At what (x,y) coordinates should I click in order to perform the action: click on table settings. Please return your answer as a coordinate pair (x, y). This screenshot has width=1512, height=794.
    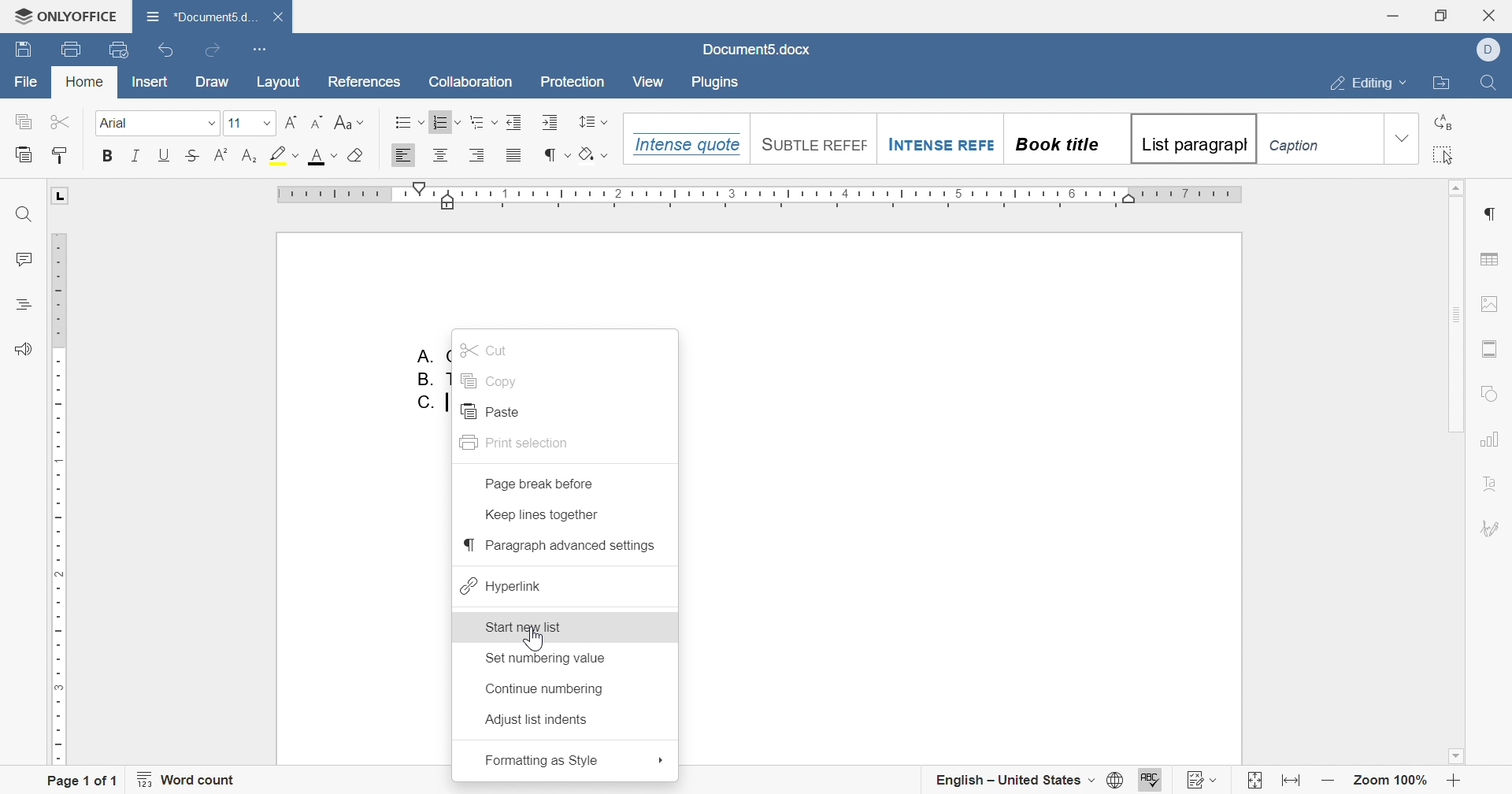
    Looking at the image, I should click on (1488, 259).